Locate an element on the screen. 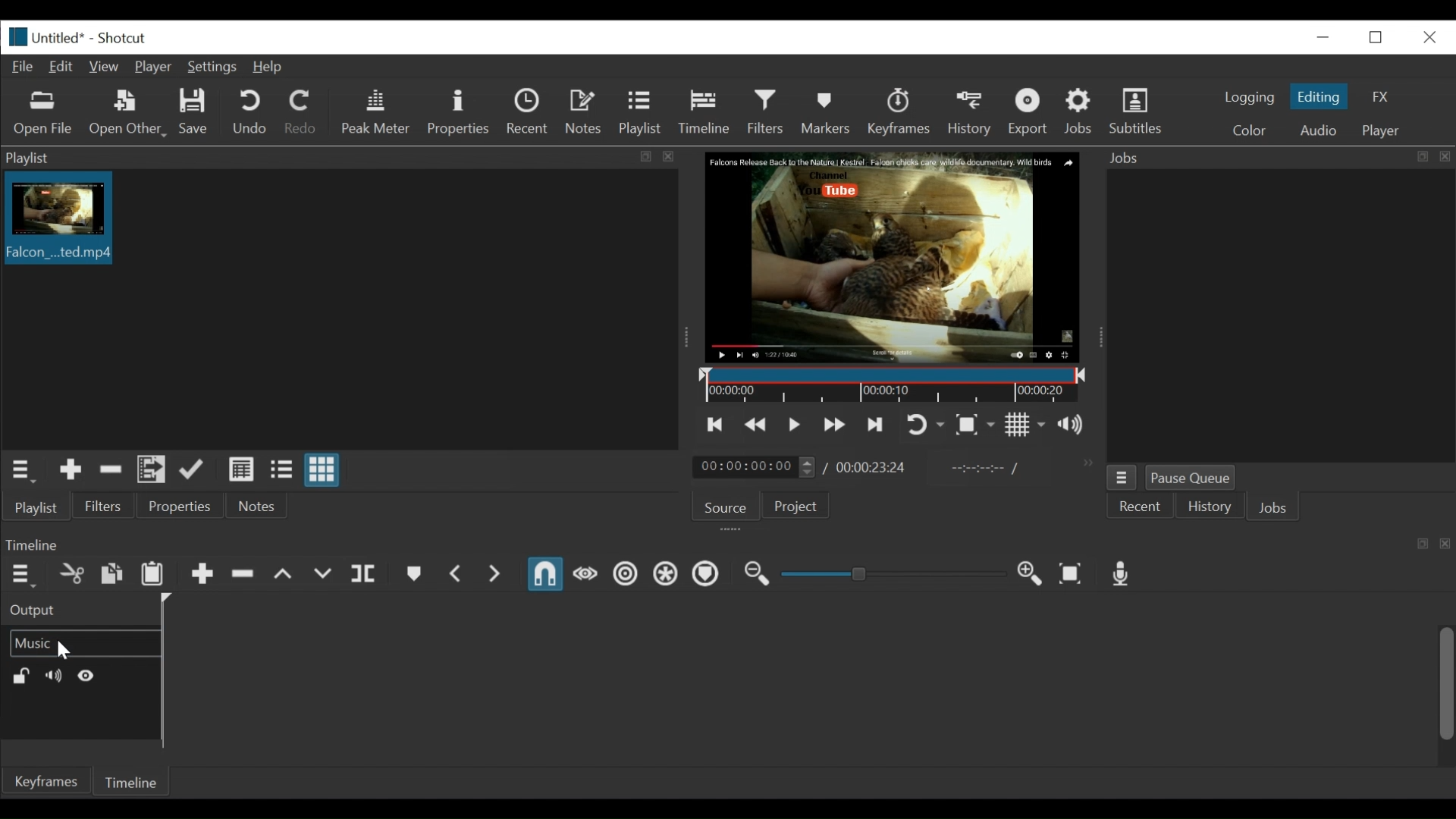  Toggle player looping is located at coordinates (879, 425).